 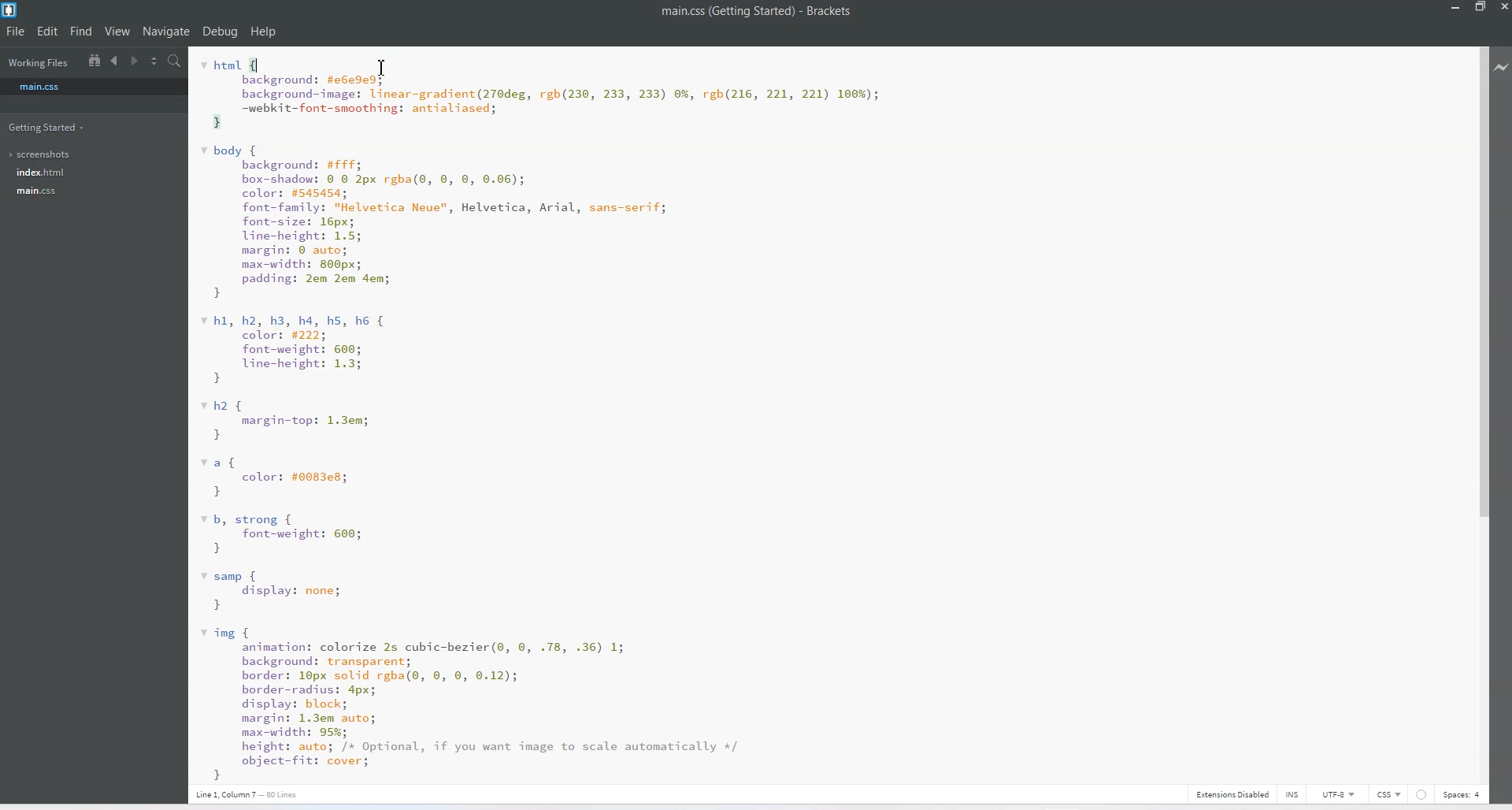 What do you see at coordinates (83, 32) in the screenshot?
I see `Find` at bounding box center [83, 32].